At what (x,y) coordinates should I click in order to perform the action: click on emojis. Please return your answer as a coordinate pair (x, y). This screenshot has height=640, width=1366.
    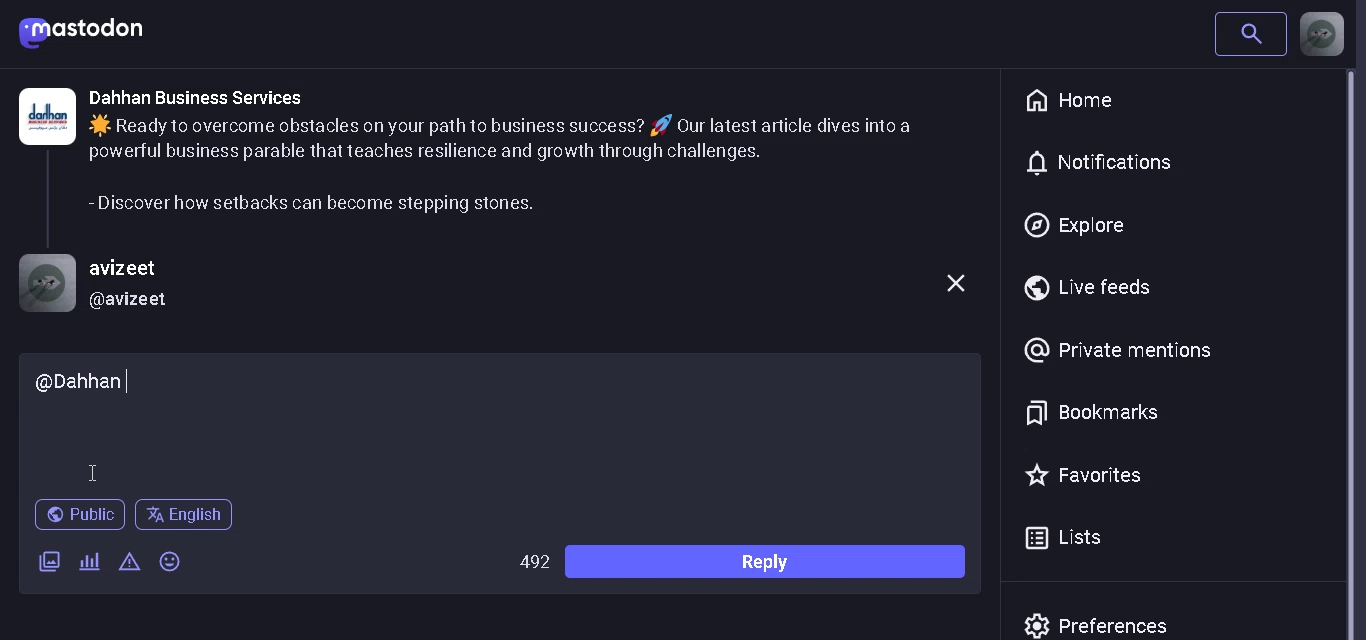
    Looking at the image, I should click on (174, 561).